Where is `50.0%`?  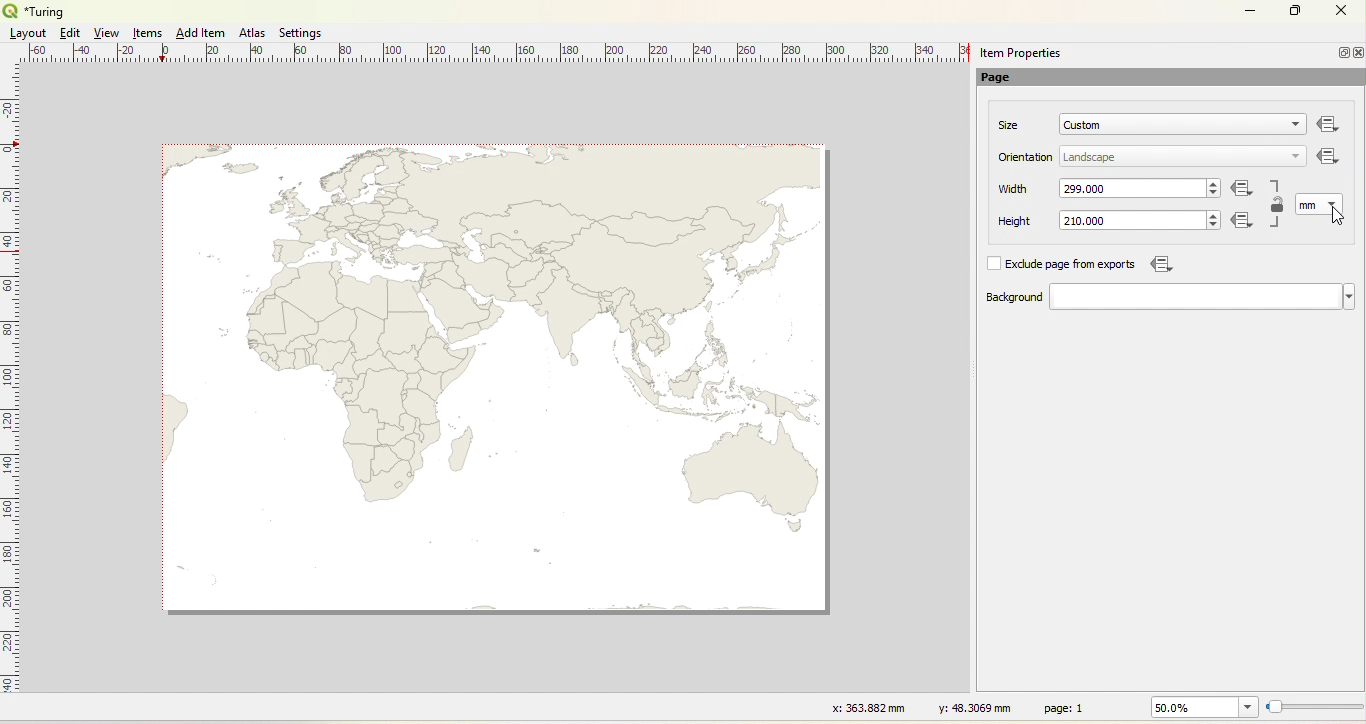 50.0% is located at coordinates (1201, 707).